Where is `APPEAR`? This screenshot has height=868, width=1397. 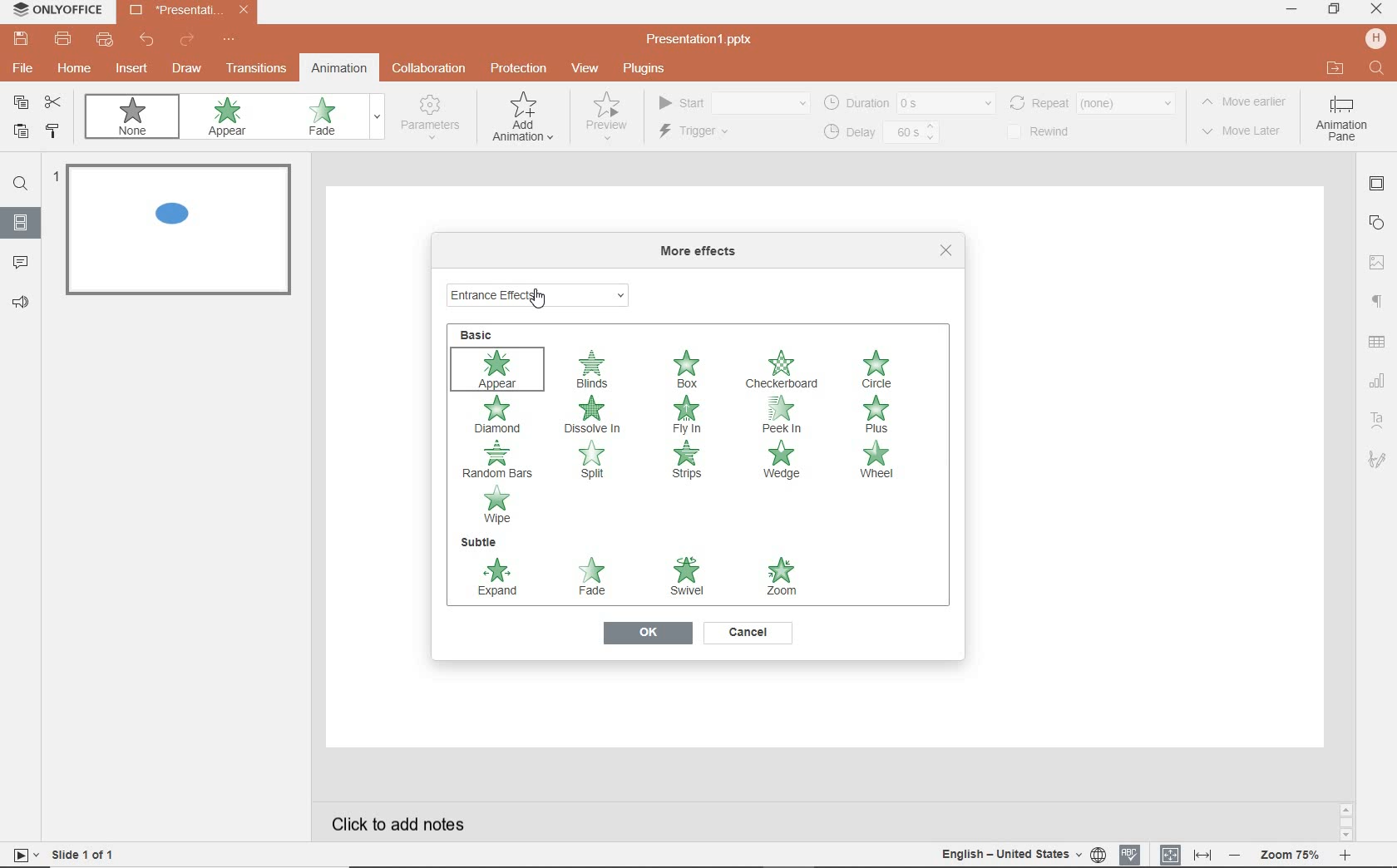 APPEAR is located at coordinates (501, 368).